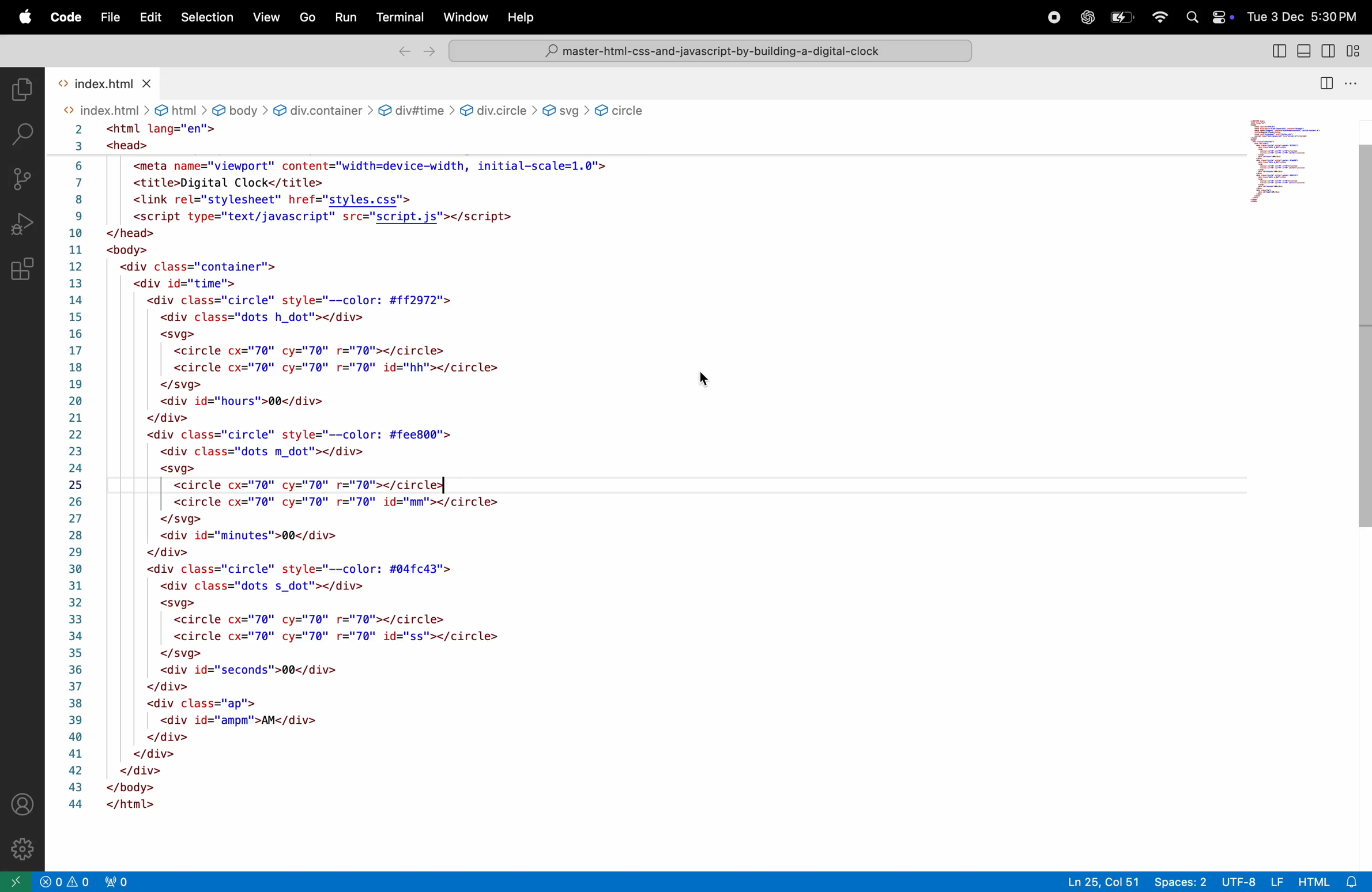 Image resolution: width=1372 pixels, height=892 pixels. I want to click on apple widgets, so click(1205, 18).